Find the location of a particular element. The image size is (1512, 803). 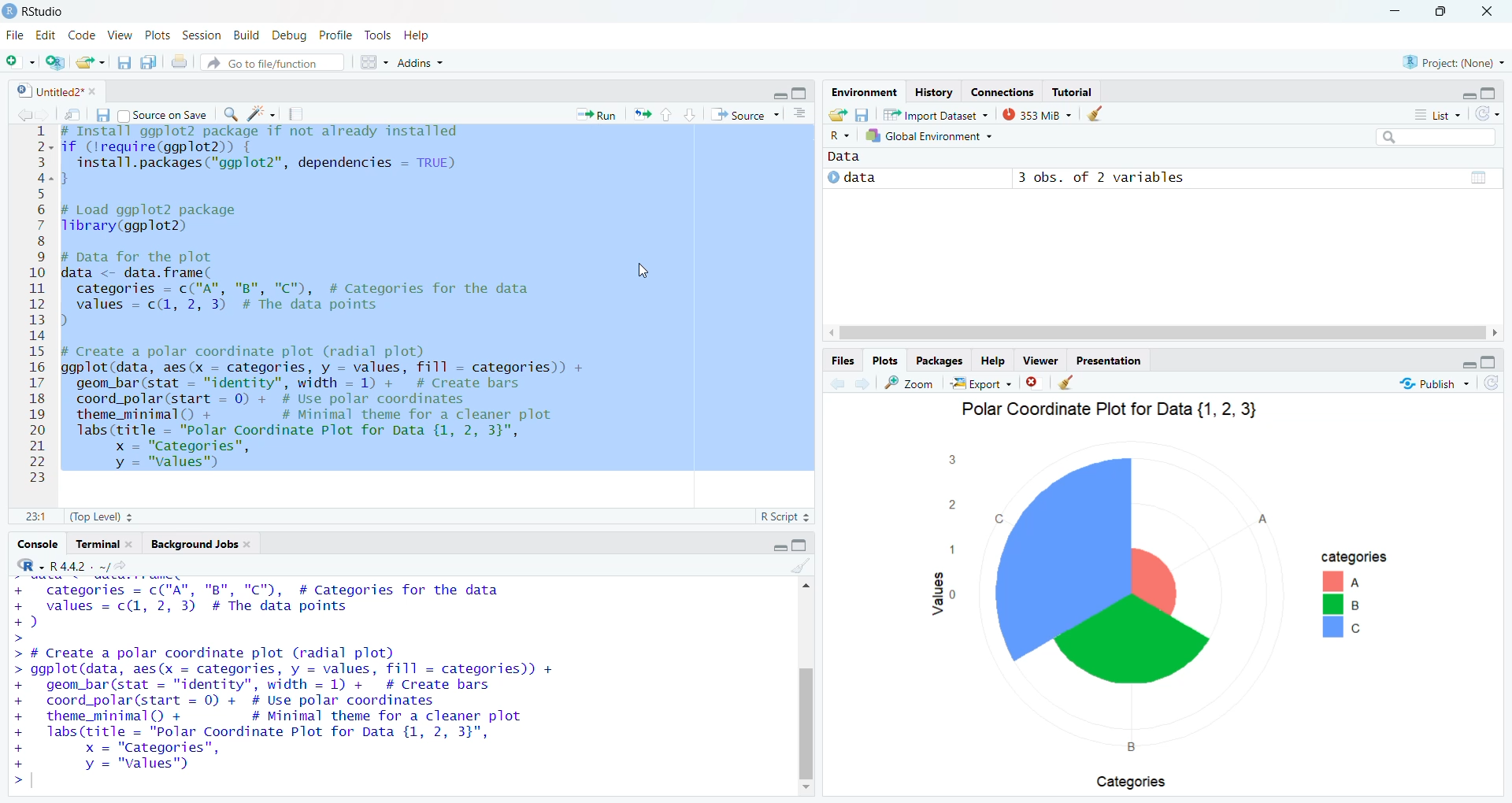

Source  is located at coordinates (744, 114).